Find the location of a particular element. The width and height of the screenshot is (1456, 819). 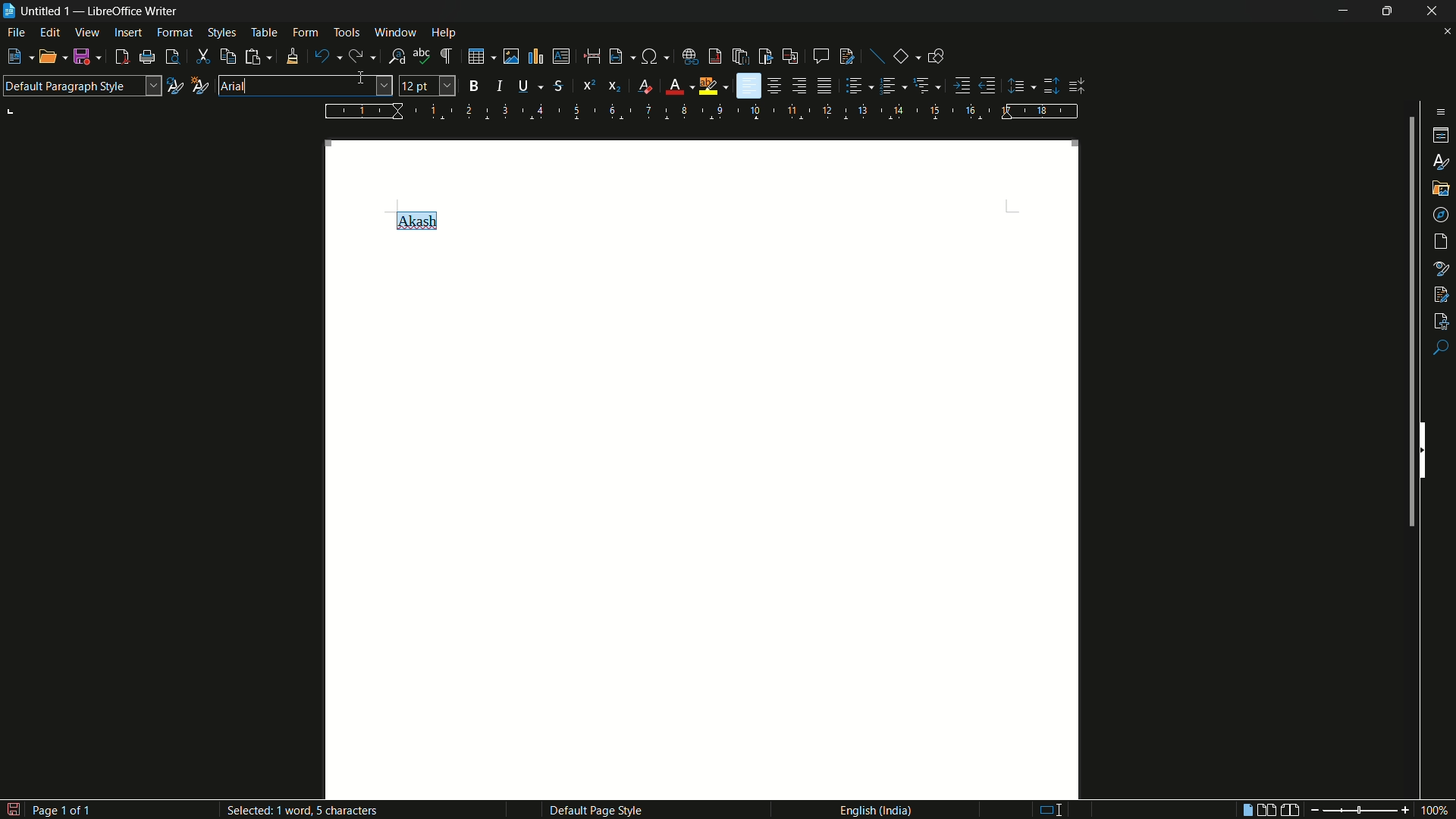

find is located at coordinates (1441, 349).